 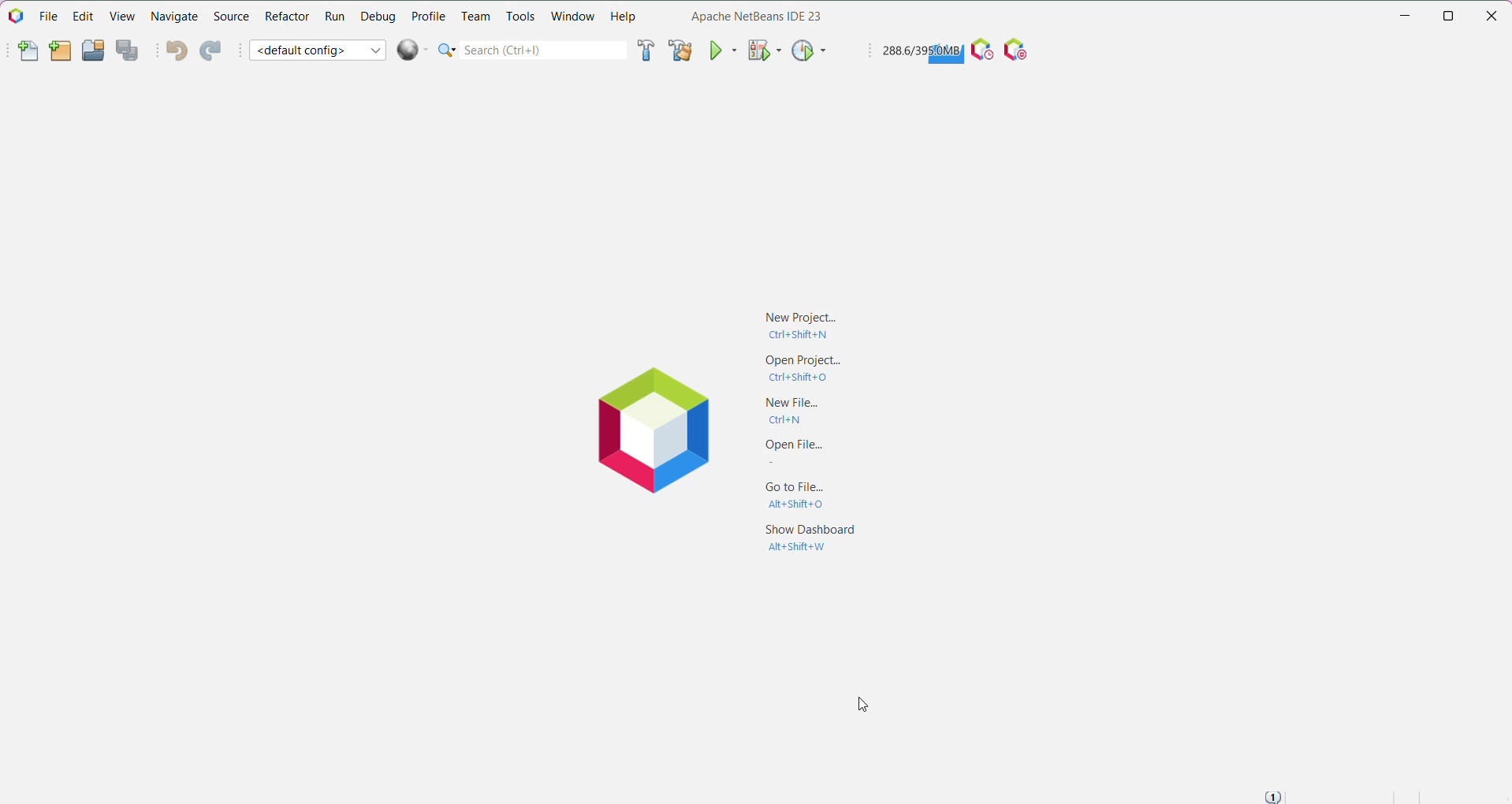 I want to click on Open Project, so click(x=93, y=50).